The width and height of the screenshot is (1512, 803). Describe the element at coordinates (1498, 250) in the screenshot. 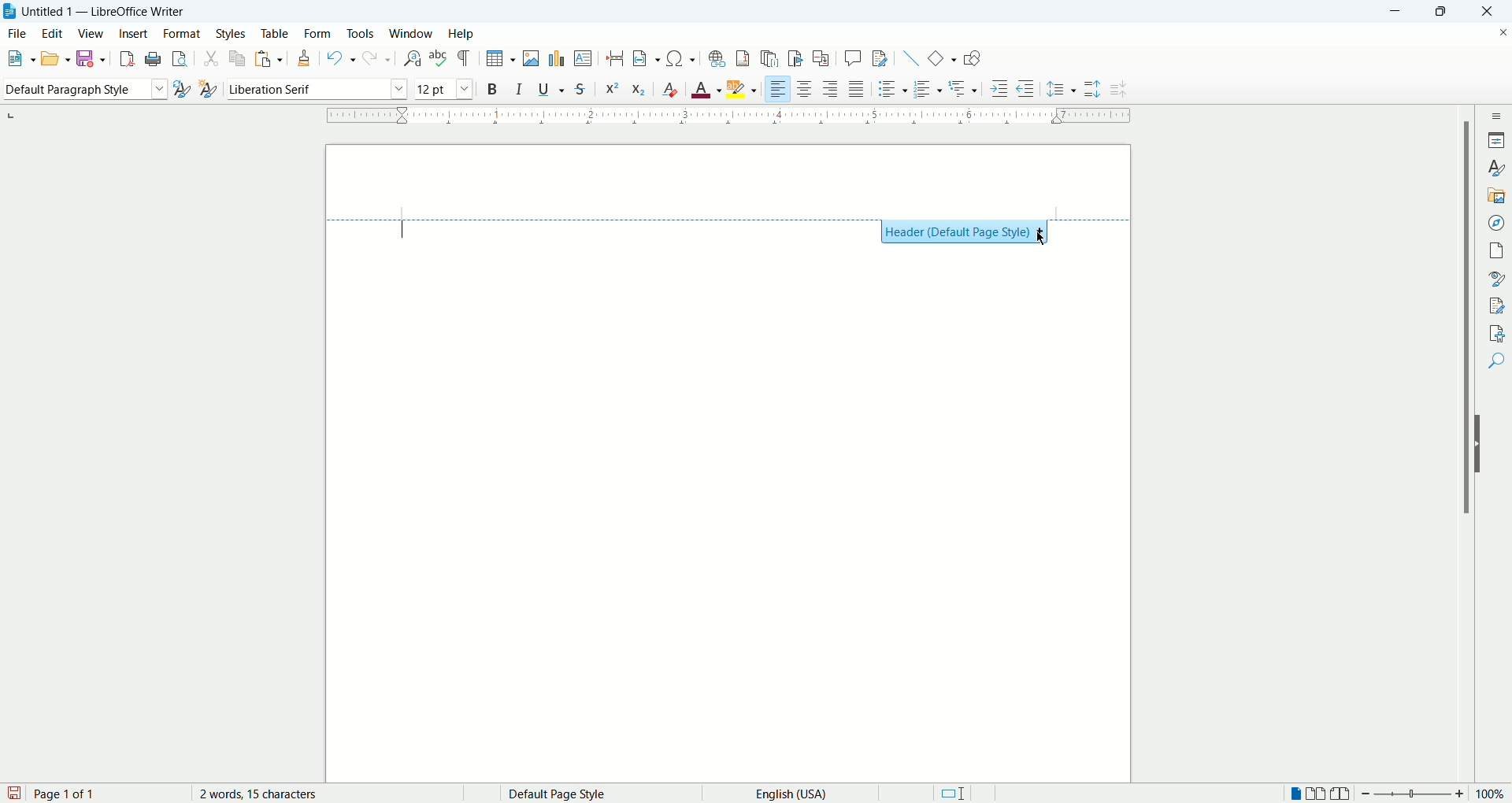

I see `pages` at that location.